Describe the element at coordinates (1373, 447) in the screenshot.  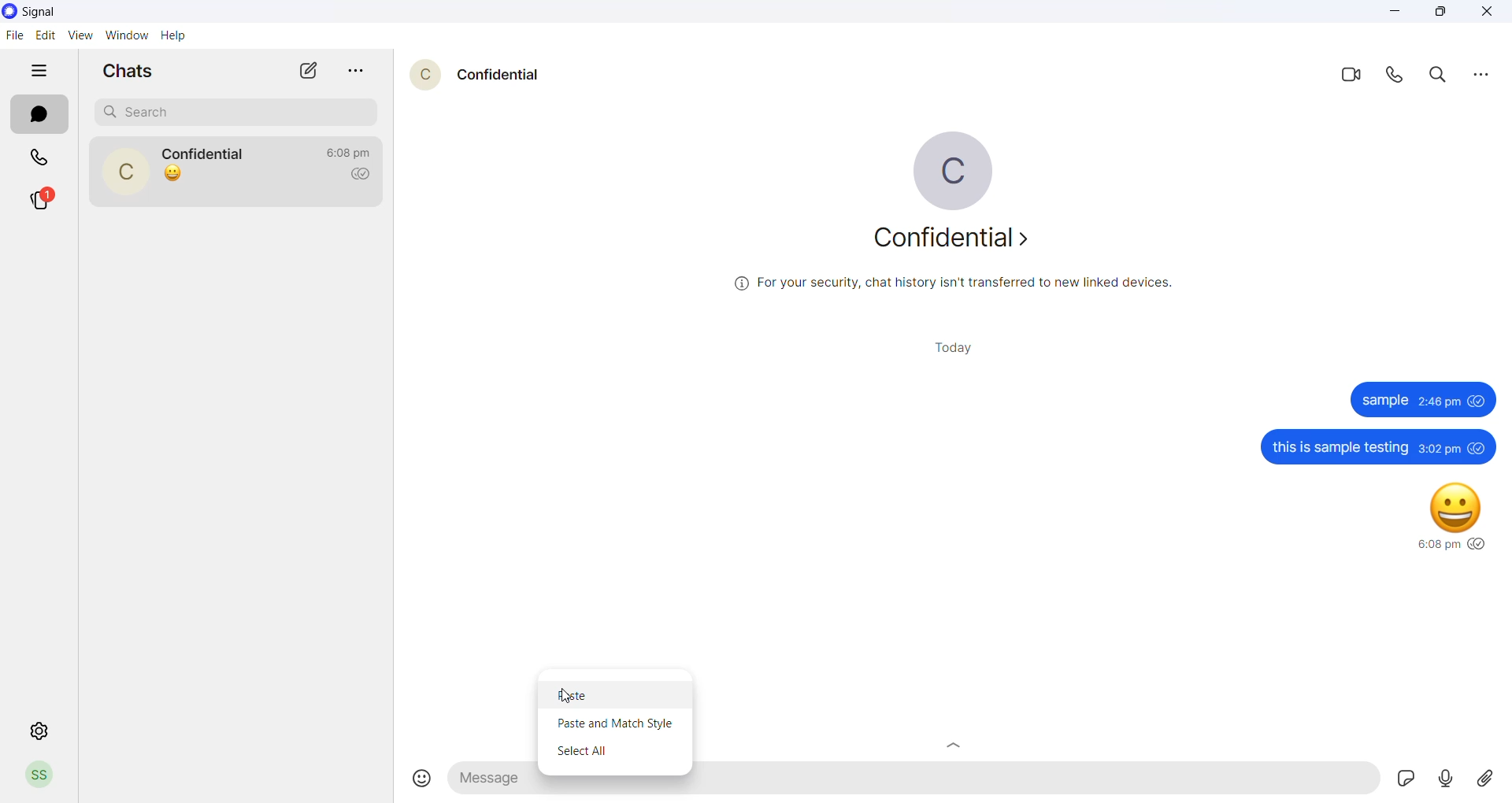
I see `this is sample testing` at that location.